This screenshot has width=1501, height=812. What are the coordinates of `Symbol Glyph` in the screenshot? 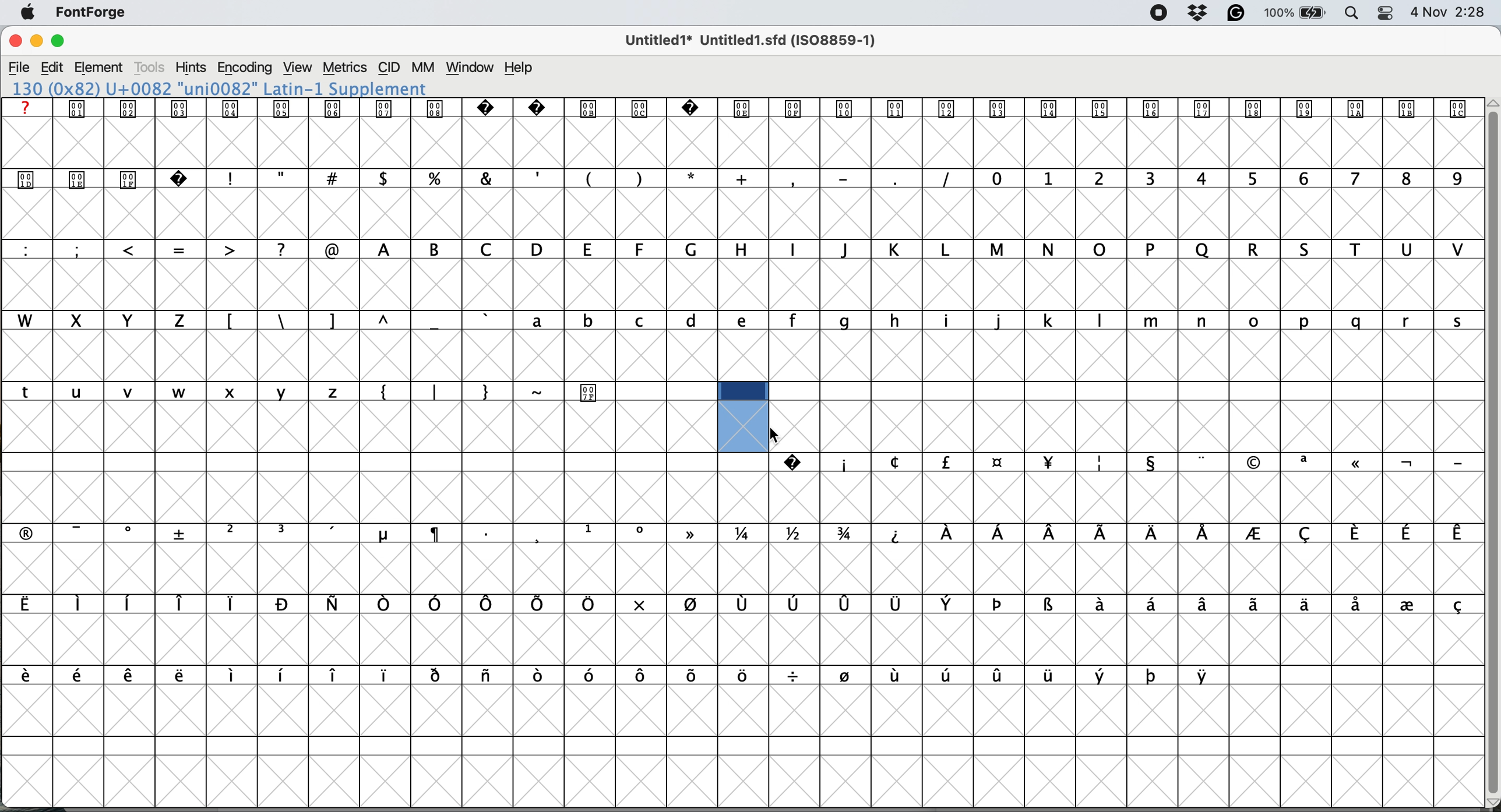 It's located at (104, 178).